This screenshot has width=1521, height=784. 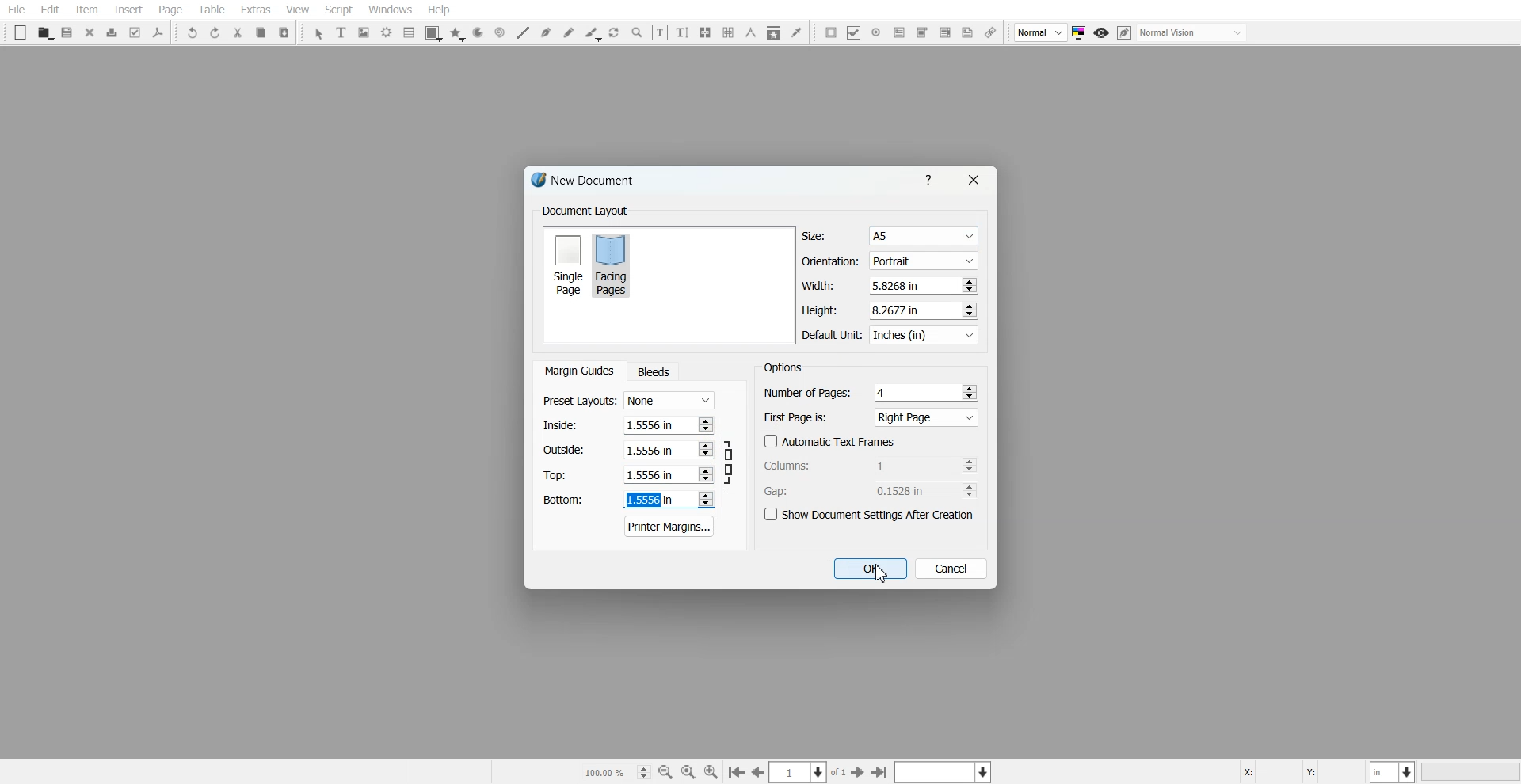 I want to click on Undo, so click(x=193, y=32).